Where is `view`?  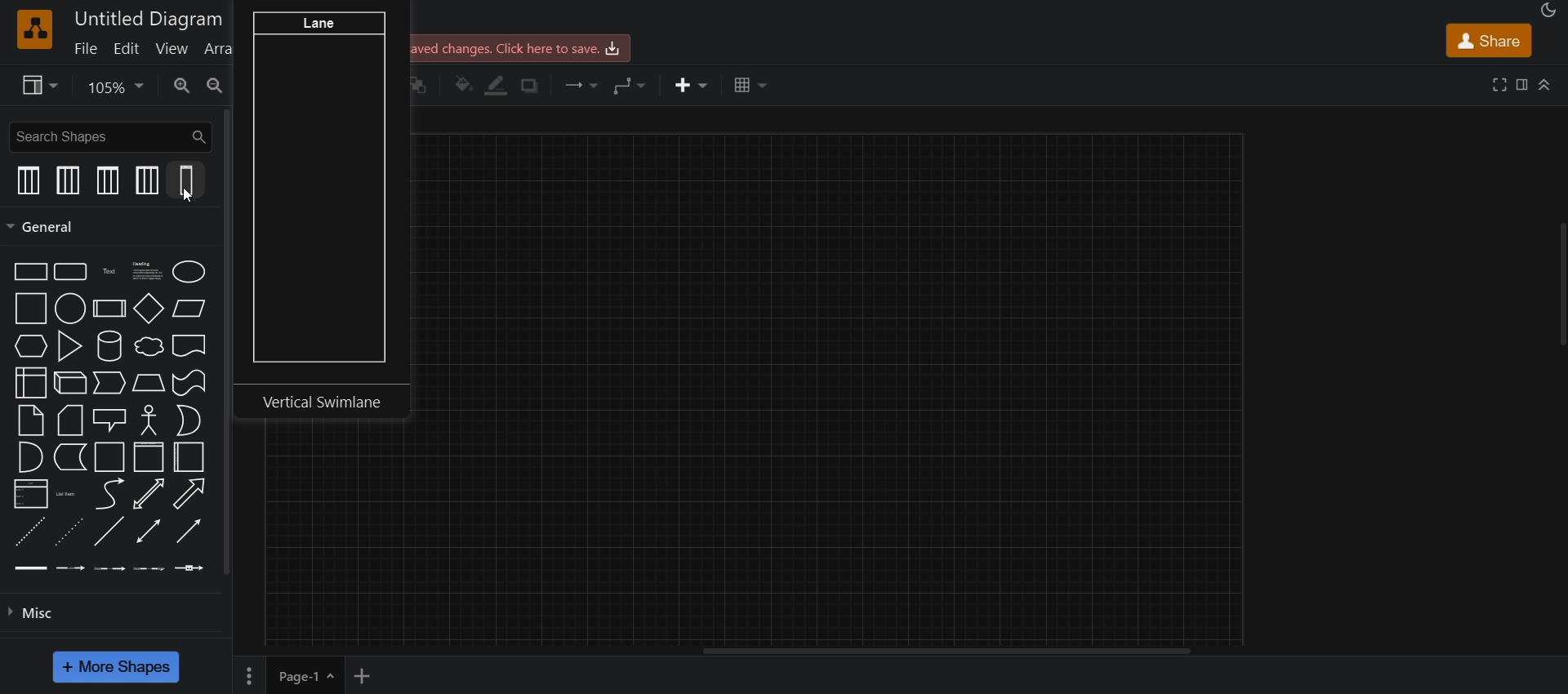
view is located at coordinates (173, 49).